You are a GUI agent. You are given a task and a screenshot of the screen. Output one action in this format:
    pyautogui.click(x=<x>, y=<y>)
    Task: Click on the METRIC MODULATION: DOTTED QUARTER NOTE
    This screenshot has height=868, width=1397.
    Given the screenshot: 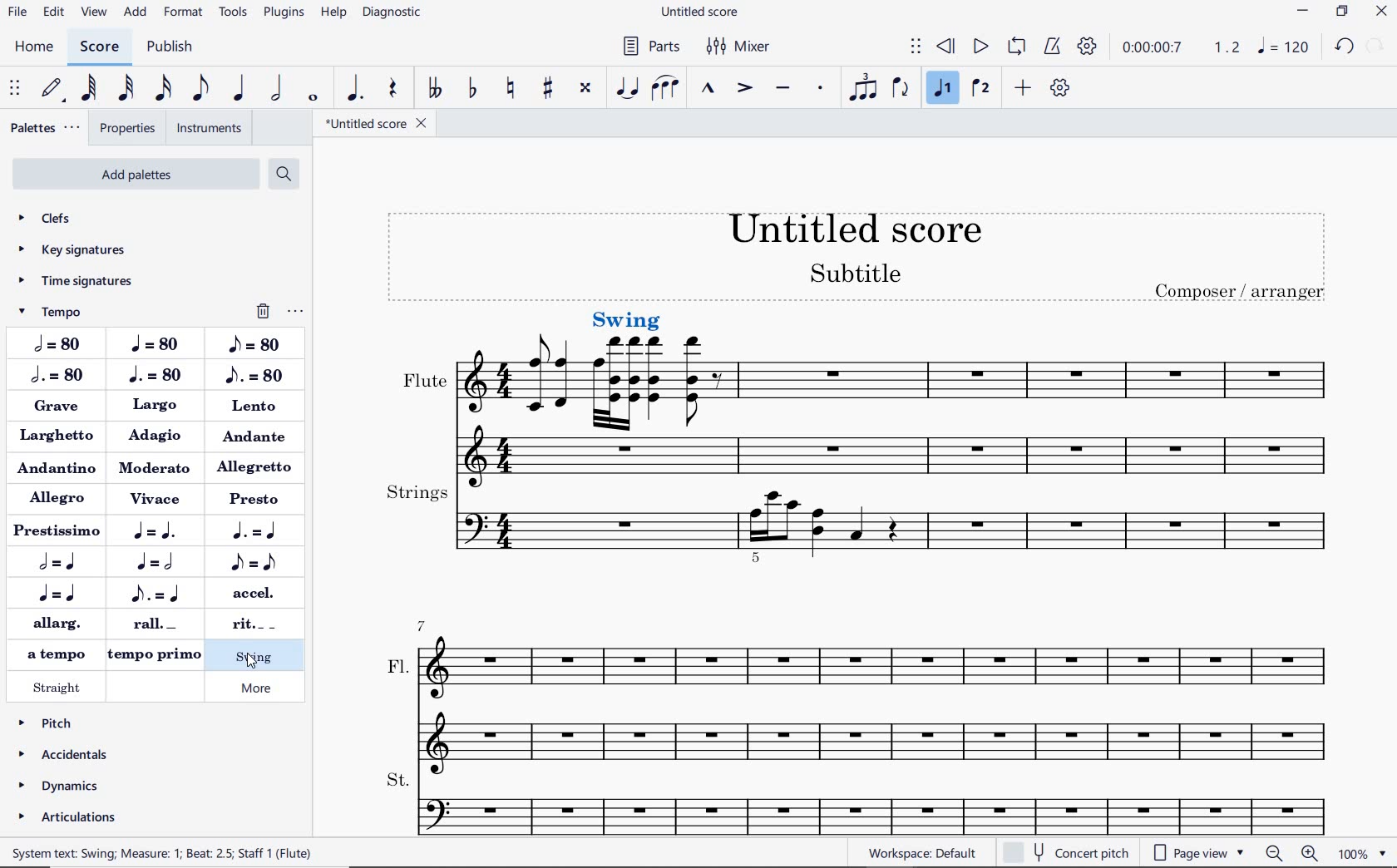 What is the action you would take?
    pyautogui.click(x=259, y=531)
    